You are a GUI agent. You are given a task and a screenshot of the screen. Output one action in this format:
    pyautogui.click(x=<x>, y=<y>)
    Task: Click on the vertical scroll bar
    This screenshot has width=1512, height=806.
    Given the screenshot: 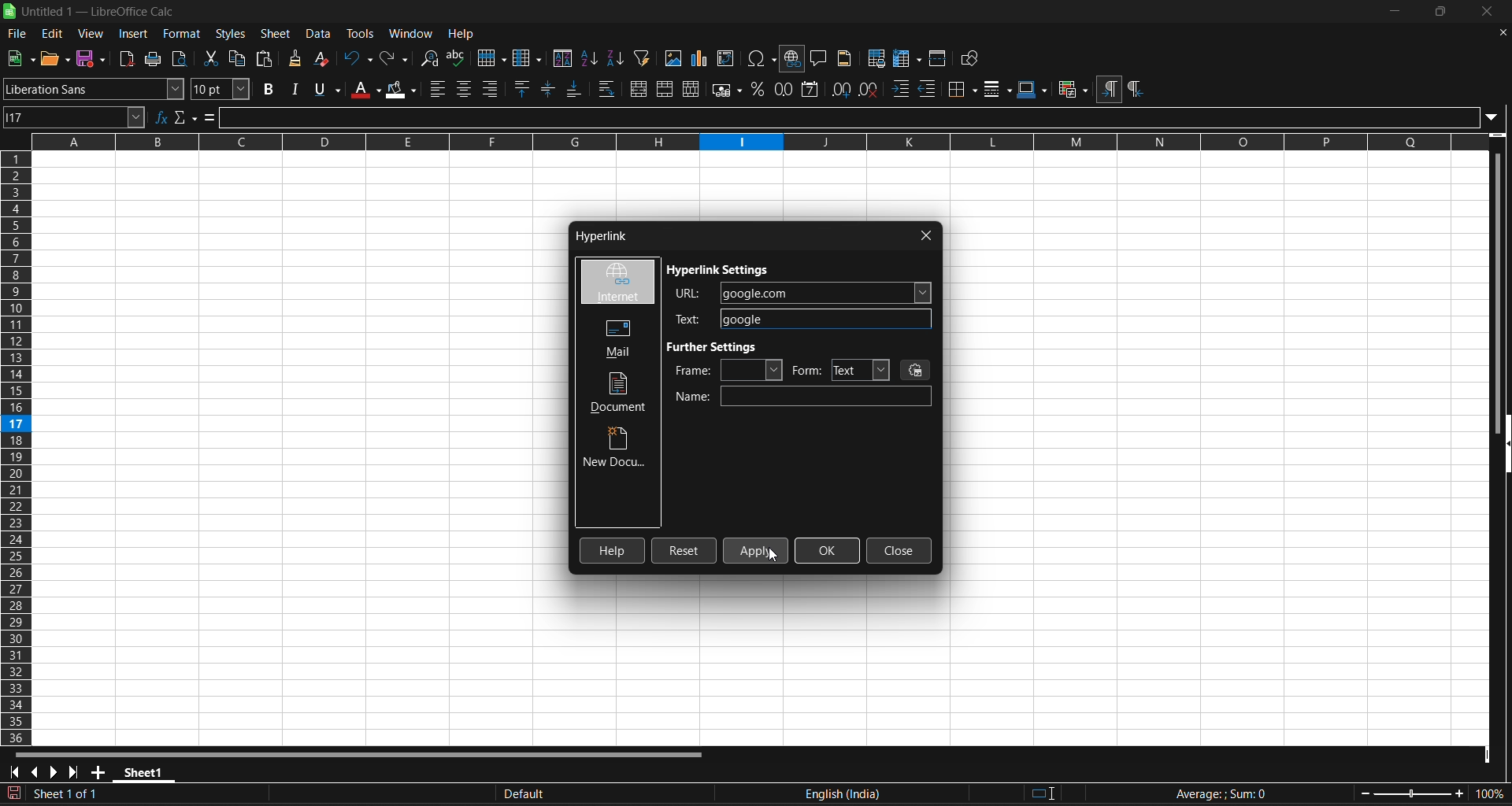 What is the action you would take?
    pyautogui.click(x=1503, y=278)
    